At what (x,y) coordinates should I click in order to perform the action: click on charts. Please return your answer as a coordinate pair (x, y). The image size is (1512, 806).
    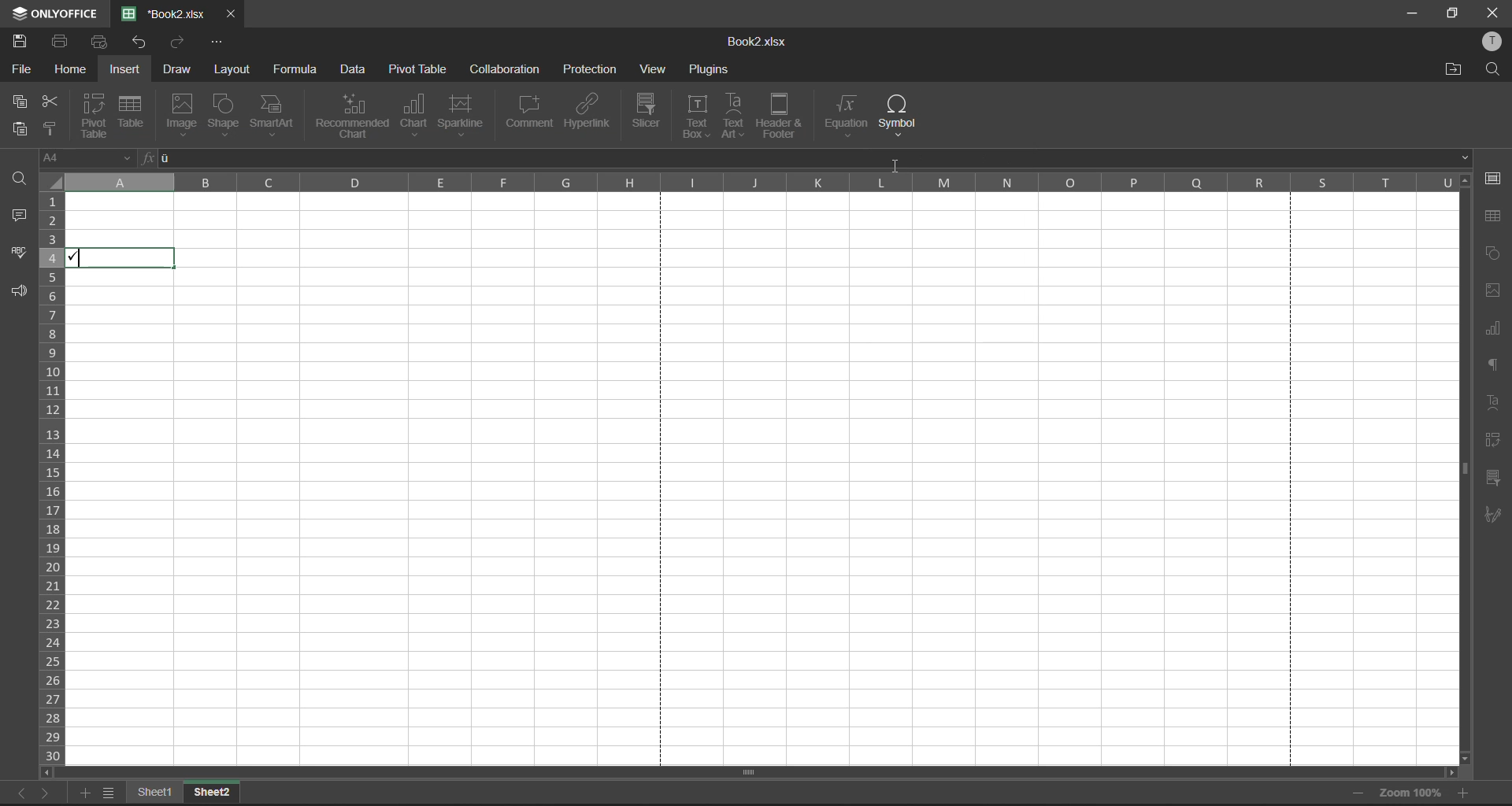
    Looking at the image, I should click on (1493, 330).